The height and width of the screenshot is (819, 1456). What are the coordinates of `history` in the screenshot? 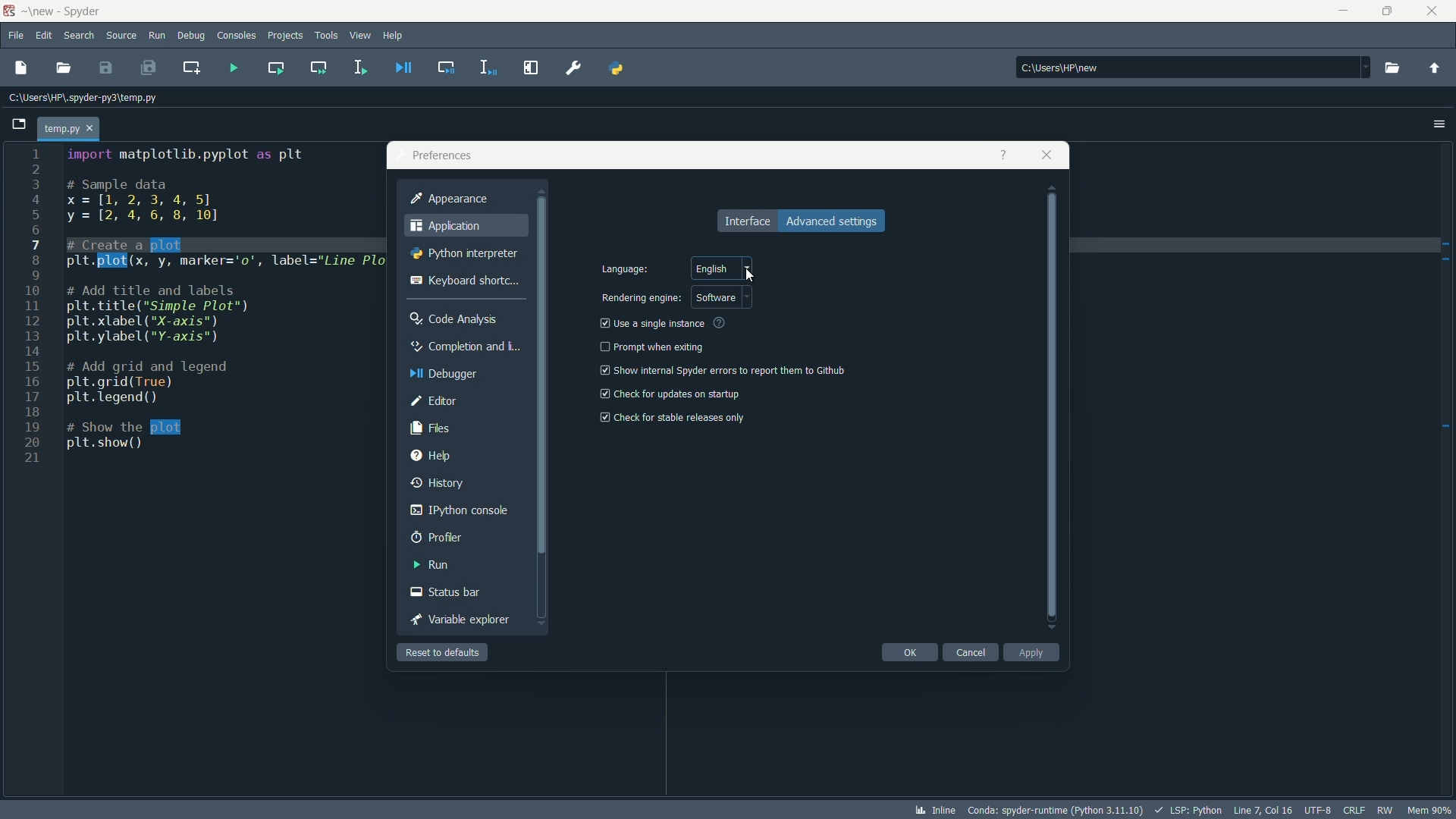 It's located at (439, 484).